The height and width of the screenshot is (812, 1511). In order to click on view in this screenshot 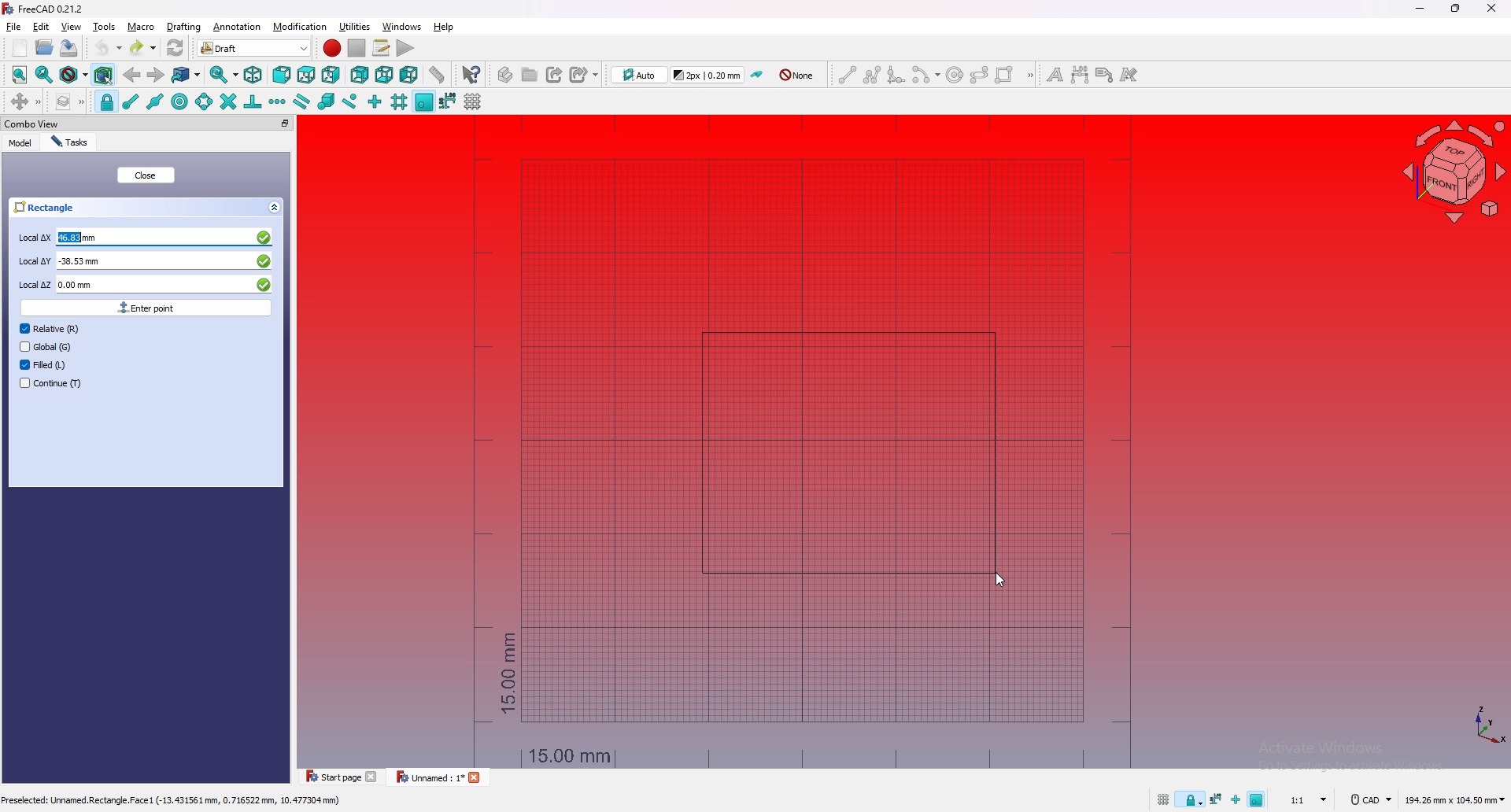, I will do `click(71, 27)`.